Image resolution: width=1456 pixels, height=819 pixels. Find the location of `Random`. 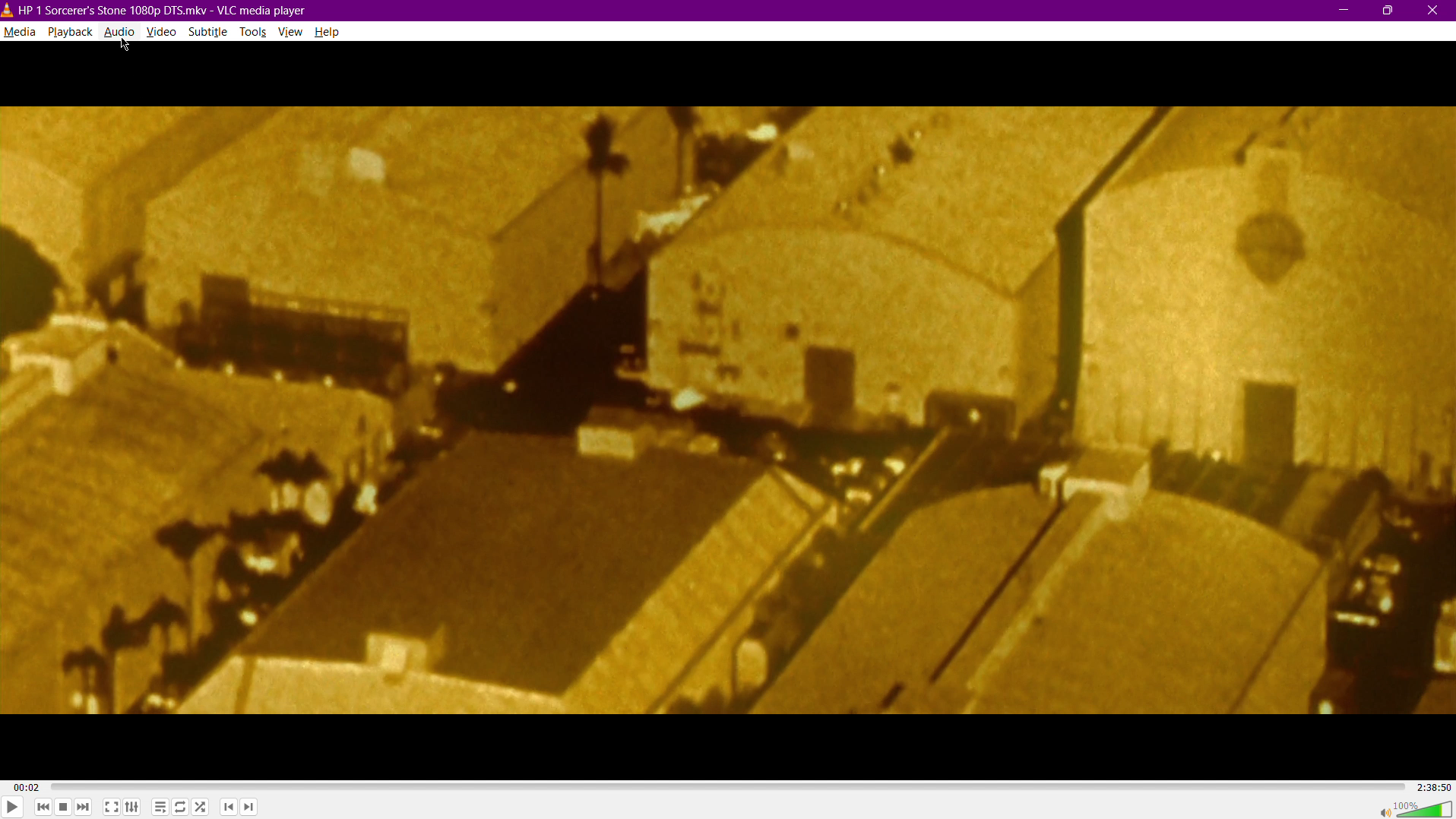

Random is located at coordinates (201, 808).